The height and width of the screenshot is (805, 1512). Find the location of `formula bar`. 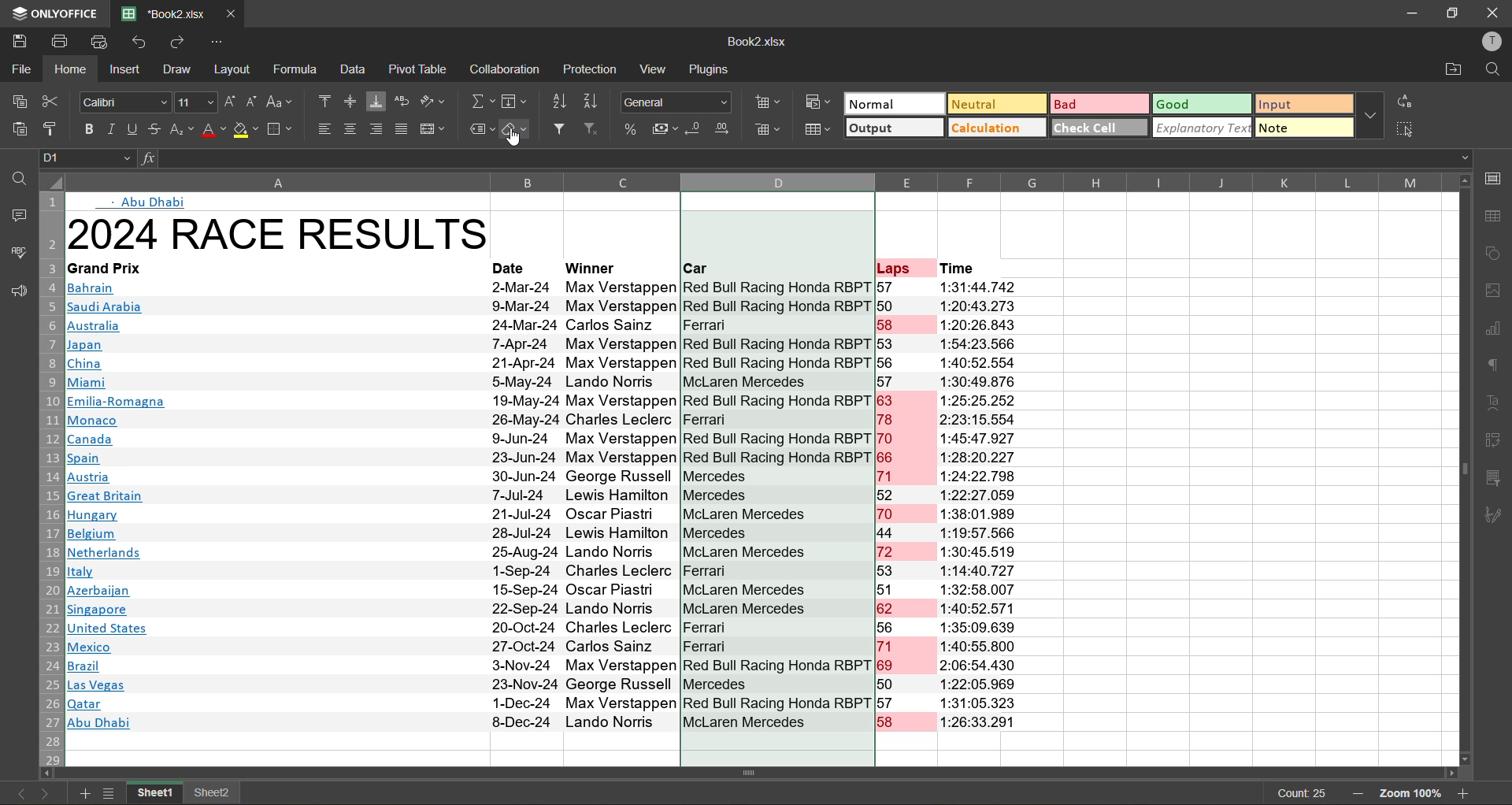

formula bar is located at coordinates (818, 158).